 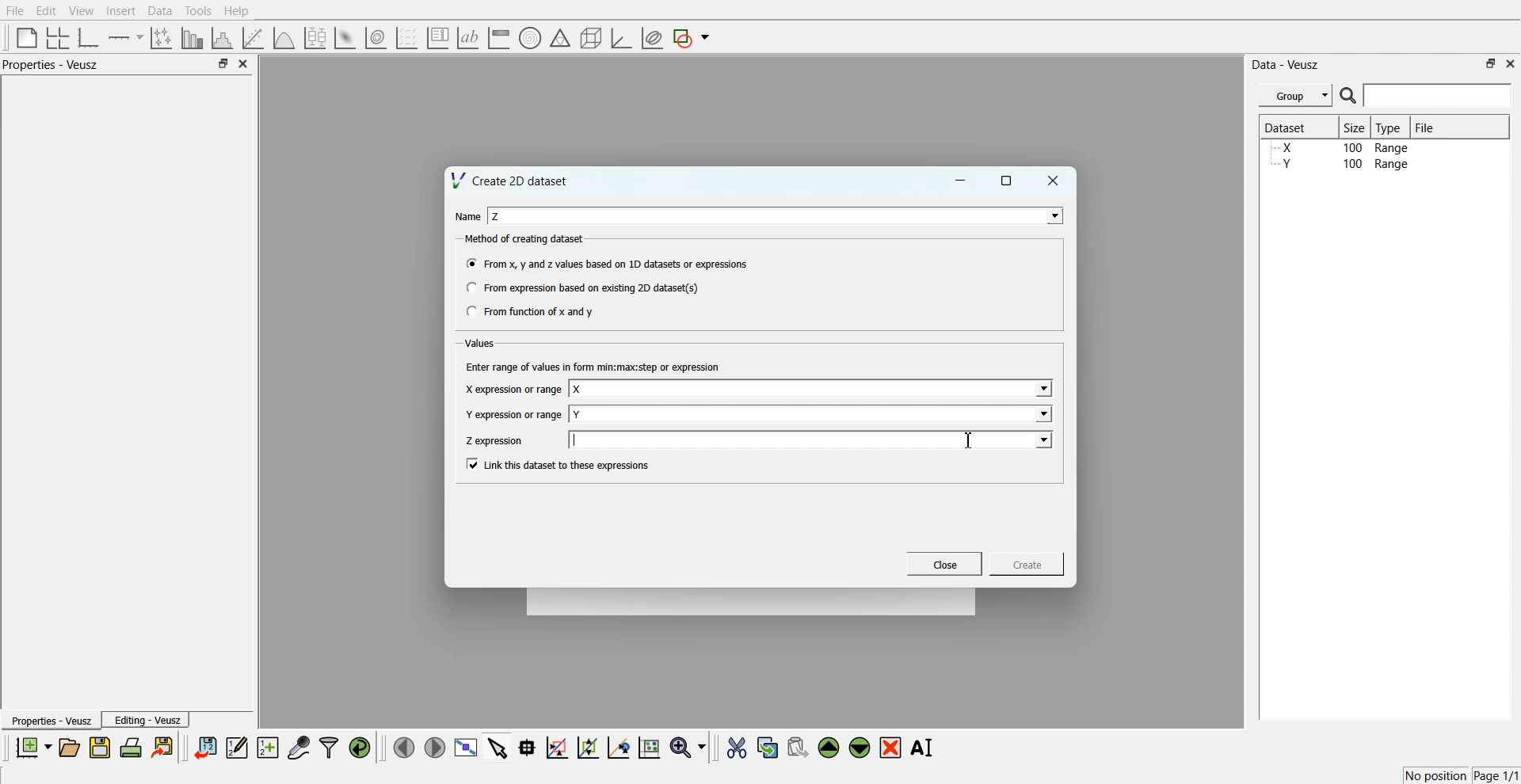 What do you see at coordinates (608, 262) in the screenshot?
I see `|  (& Fromx, y and z values based on 1D datasets or expressions` at bounding box center [608, 262].